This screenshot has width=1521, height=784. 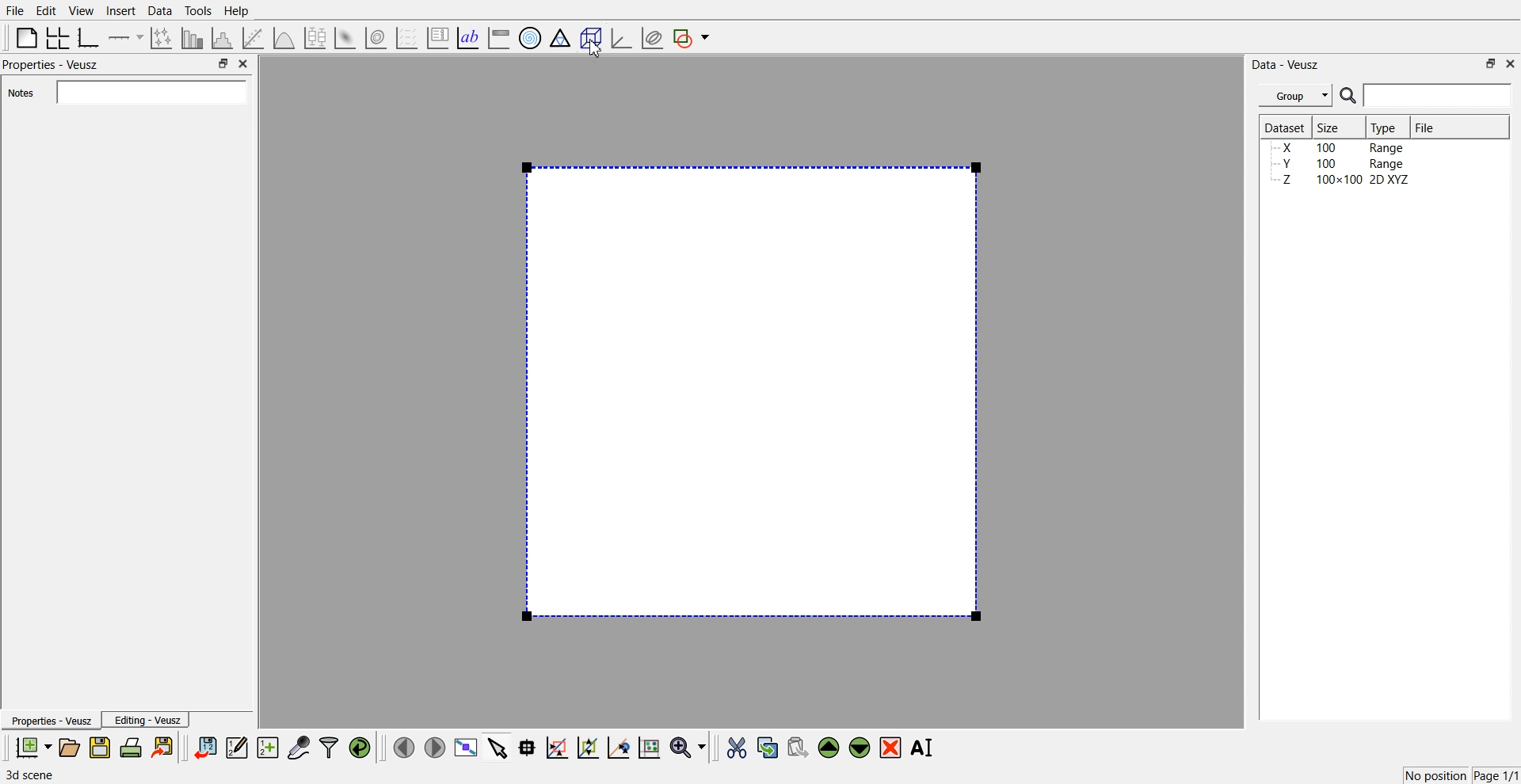 I want to click on Print the document, so click(x=130, y=747).